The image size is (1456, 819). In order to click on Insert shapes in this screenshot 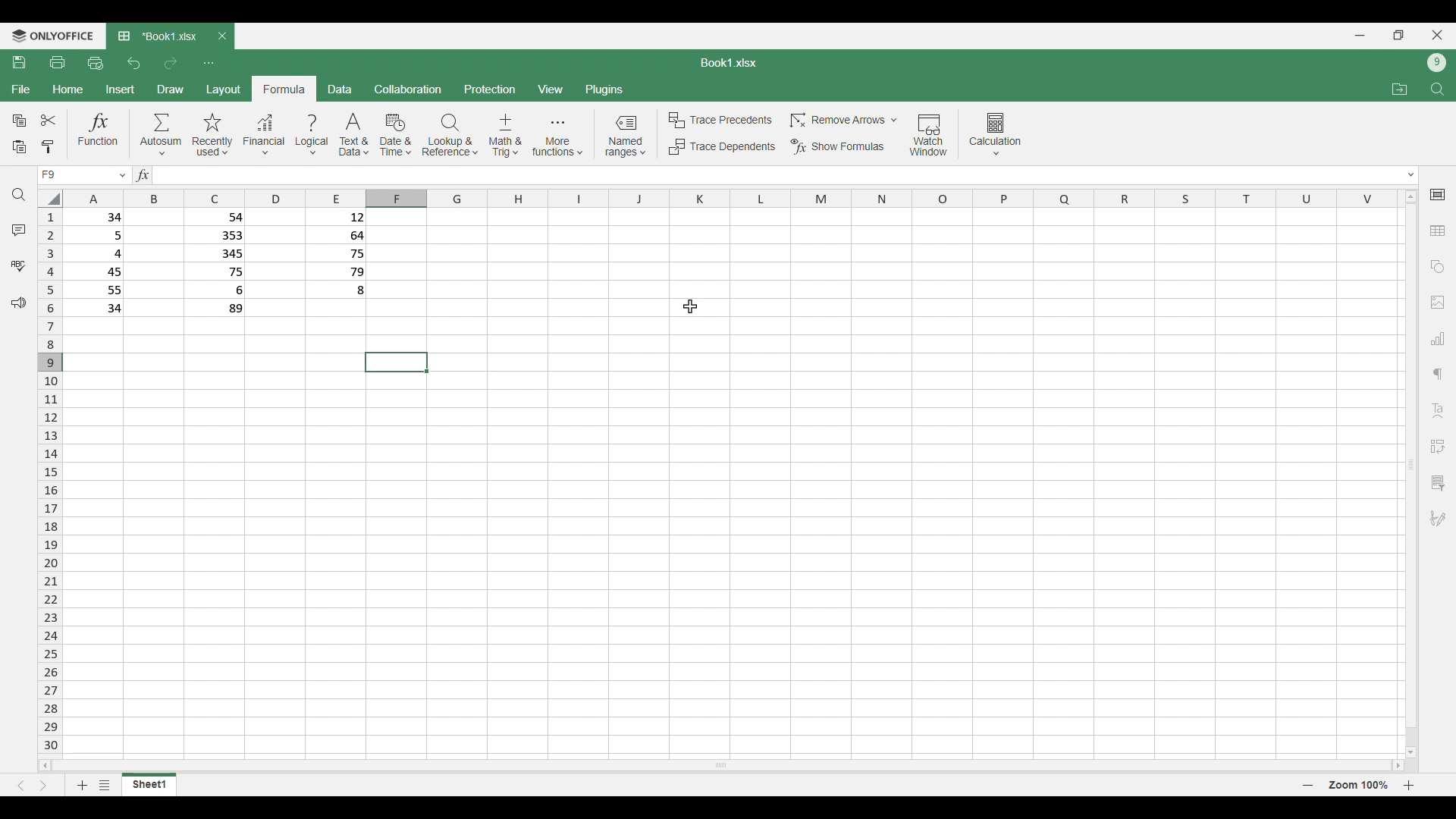, I will do `click(1438, 267)`.